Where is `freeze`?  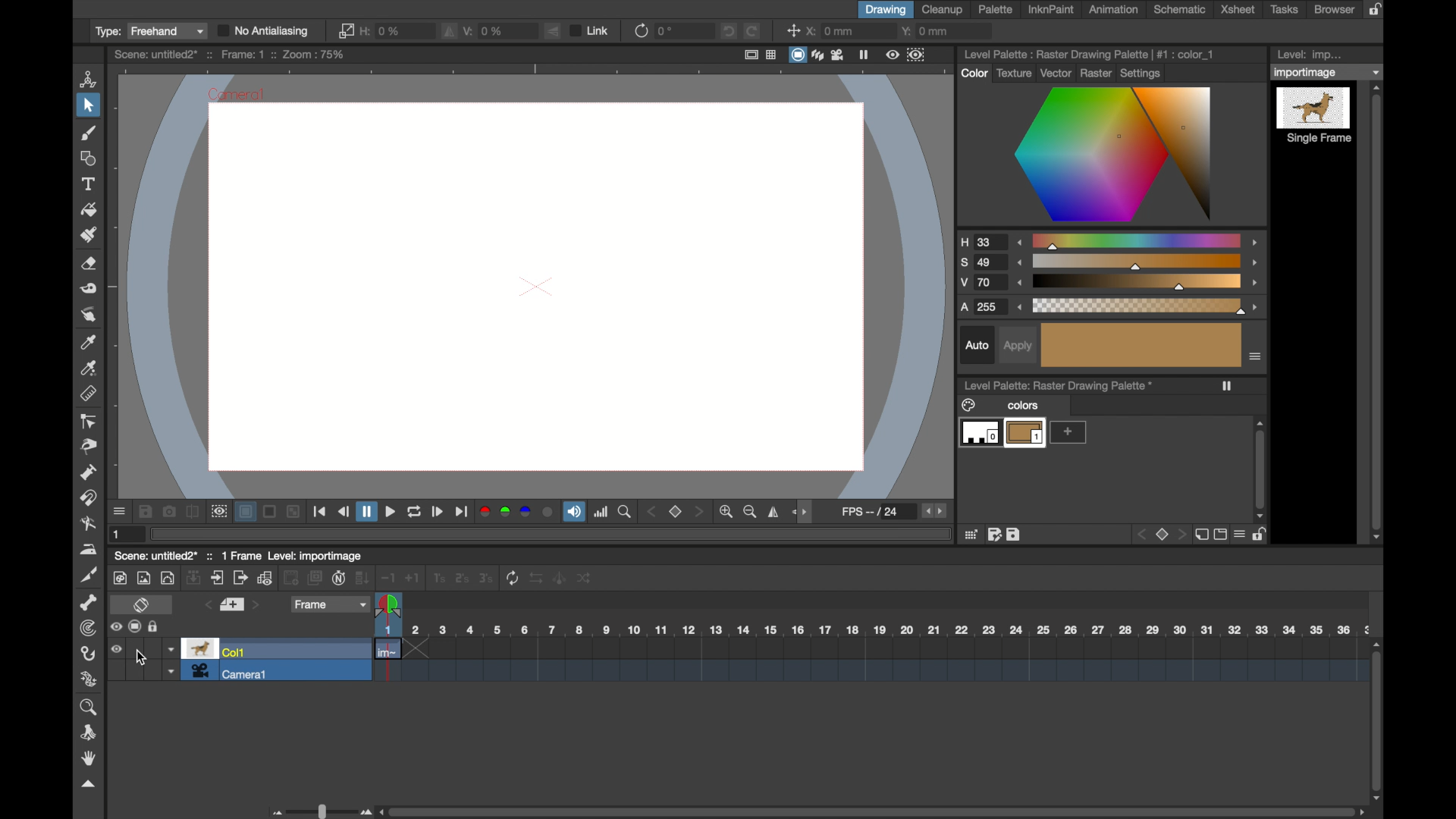
freeze is located at coordinates (1228, 386).